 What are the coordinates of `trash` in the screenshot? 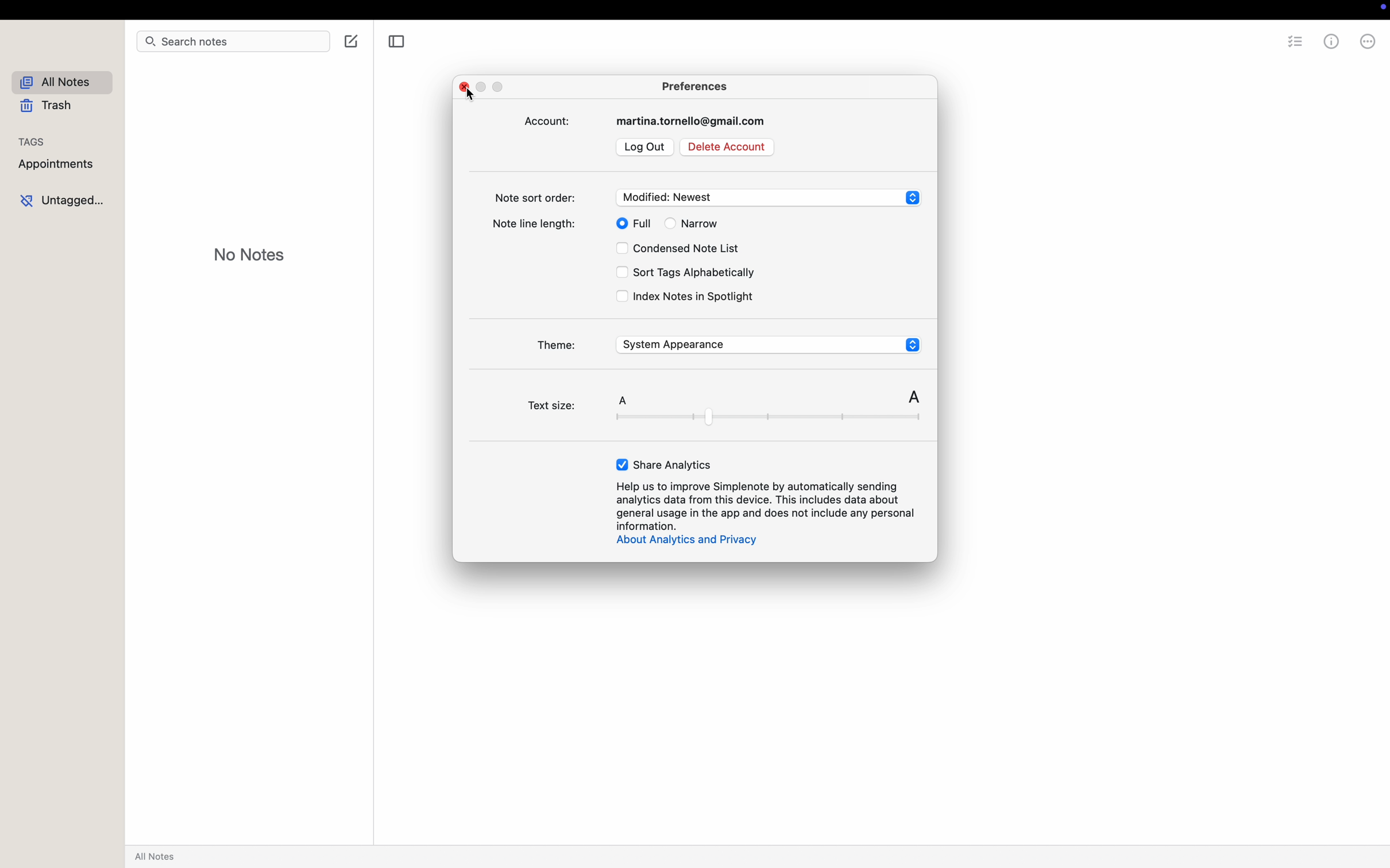 It's located at (51, 106).